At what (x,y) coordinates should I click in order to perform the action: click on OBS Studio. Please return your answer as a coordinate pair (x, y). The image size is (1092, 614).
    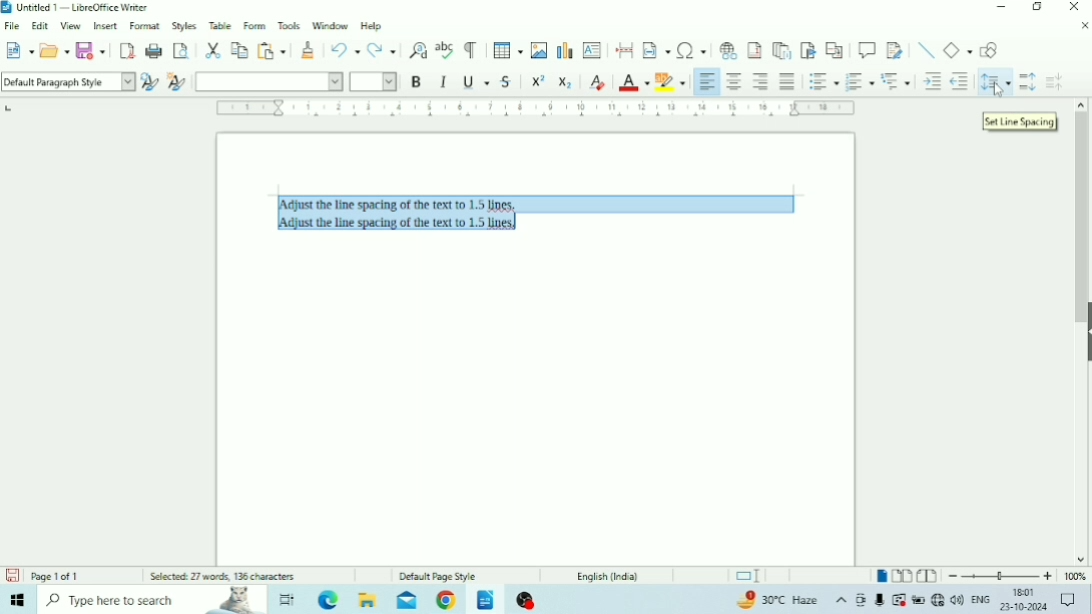
    Looking at the image, I should click on (527, 600).